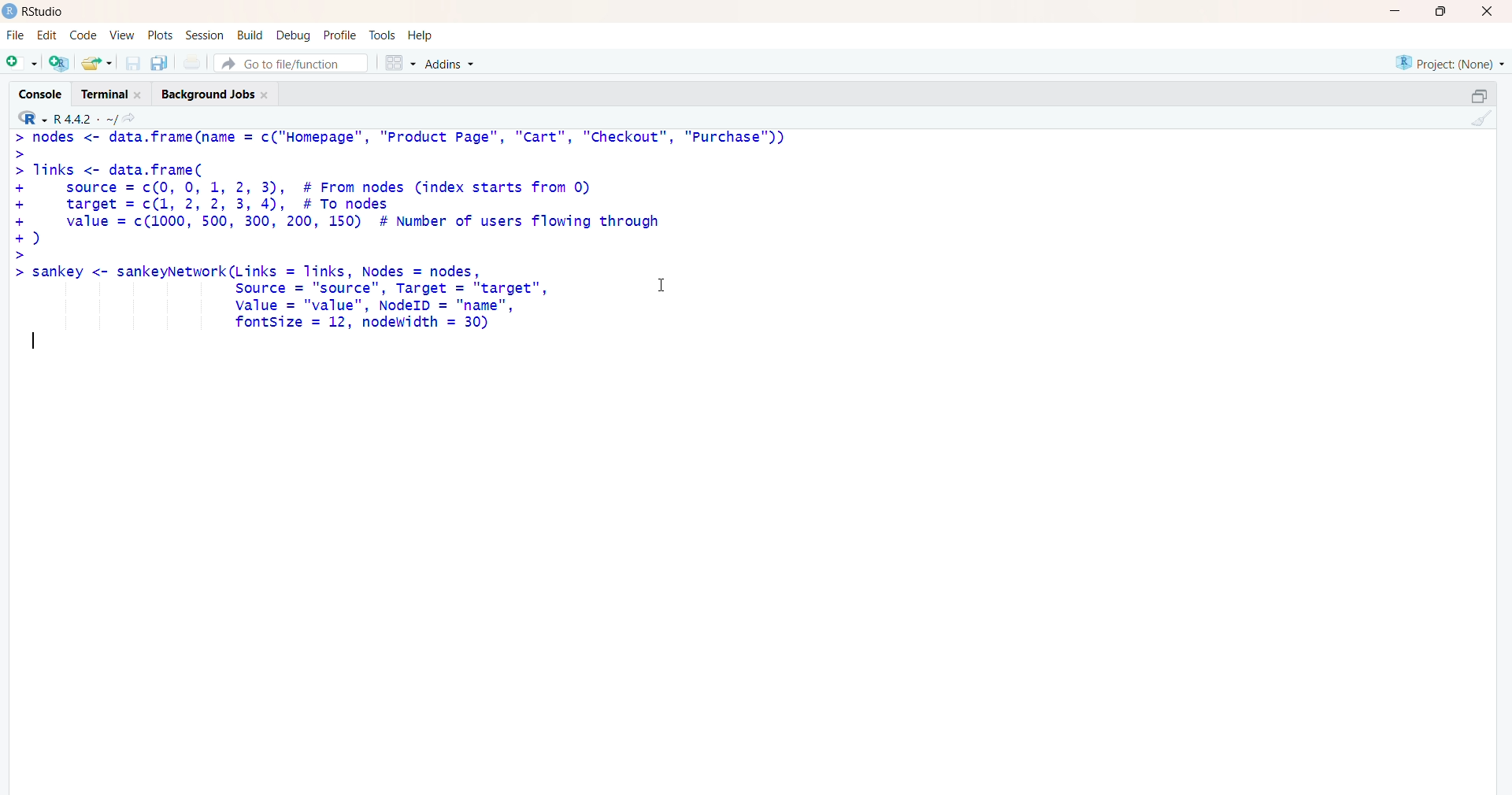 Image resolution: width=1512 pixels, height=795 pixels. What do you see at coordinates (82, 34) in the screenshot?
I see `` at bounding box center [82, 34].